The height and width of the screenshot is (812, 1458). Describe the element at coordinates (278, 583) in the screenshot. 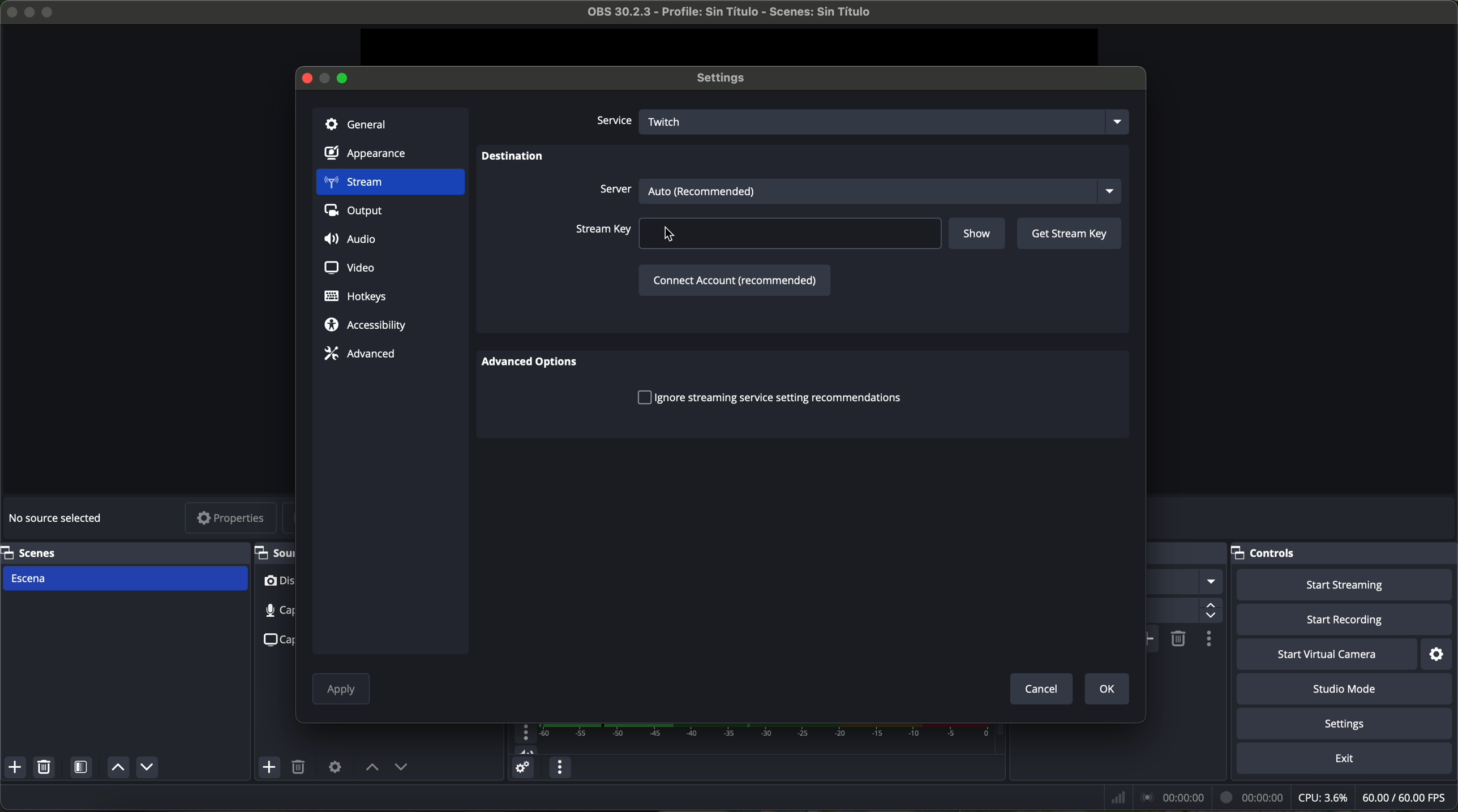

I see `video capture device` at that location.